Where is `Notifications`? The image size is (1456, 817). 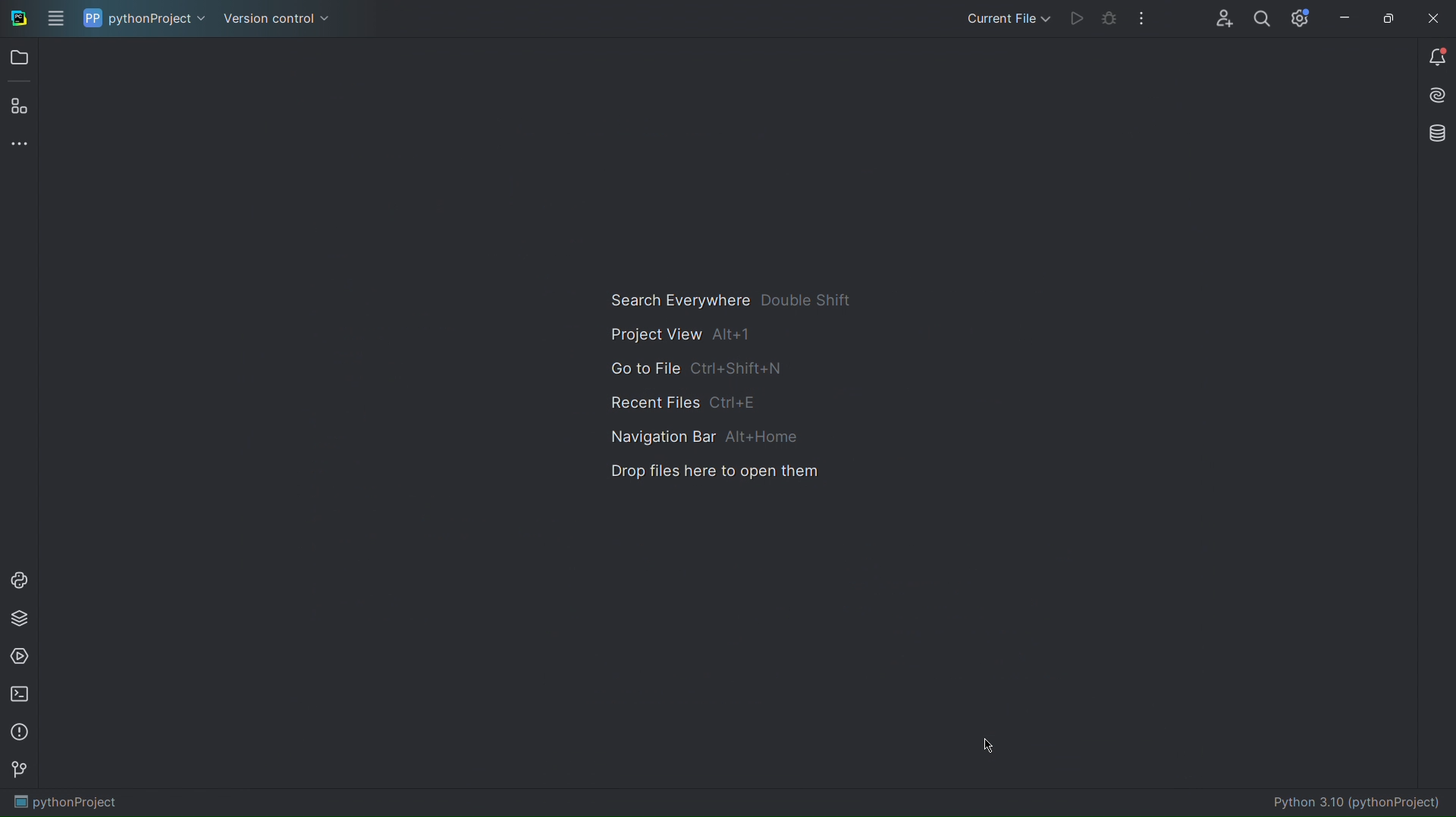 Notifications is located at coordinates (1435, 56).